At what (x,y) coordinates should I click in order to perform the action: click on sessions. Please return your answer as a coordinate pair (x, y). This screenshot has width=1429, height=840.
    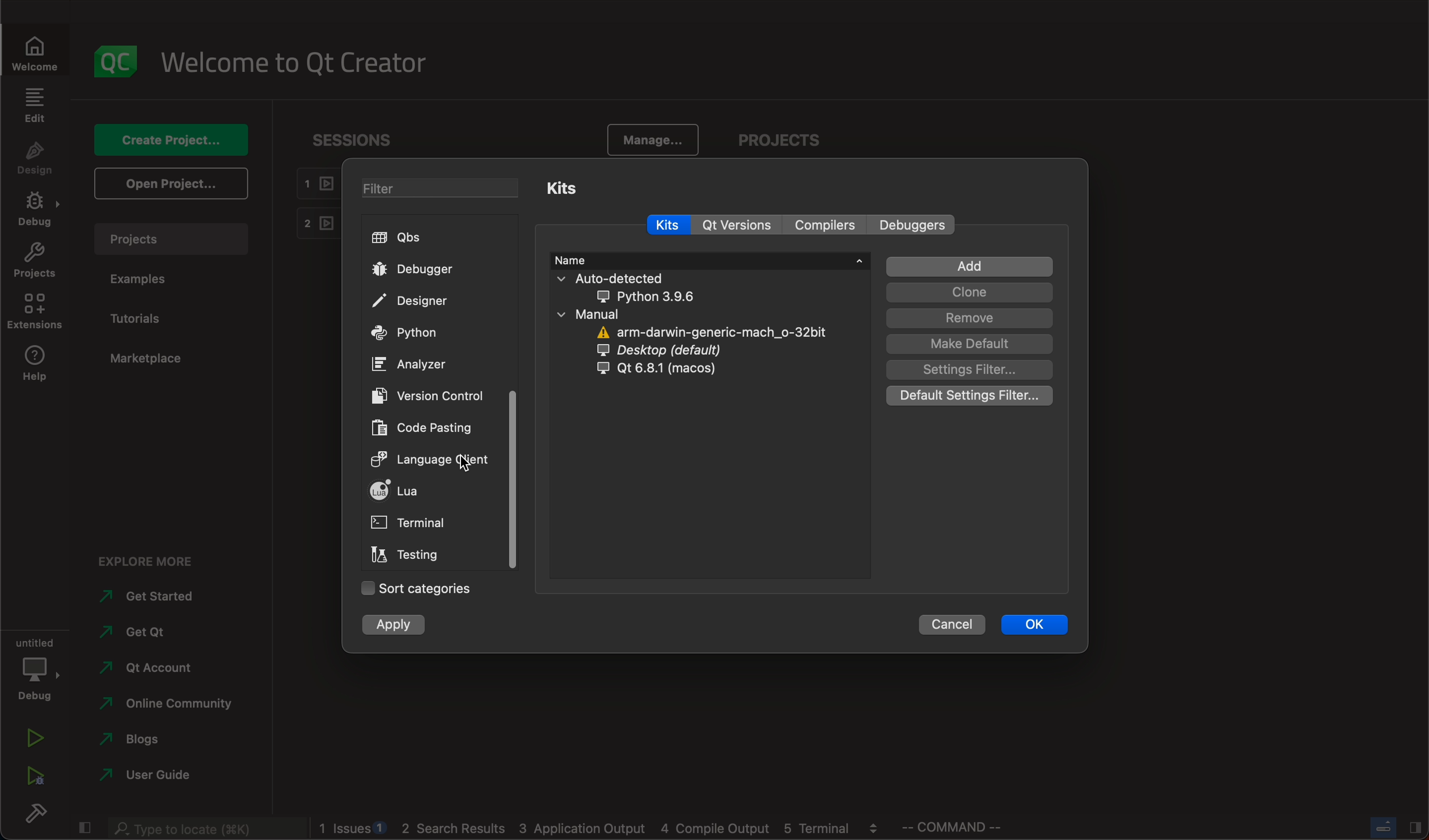
    Looking at the image, I should click on (353, 144).